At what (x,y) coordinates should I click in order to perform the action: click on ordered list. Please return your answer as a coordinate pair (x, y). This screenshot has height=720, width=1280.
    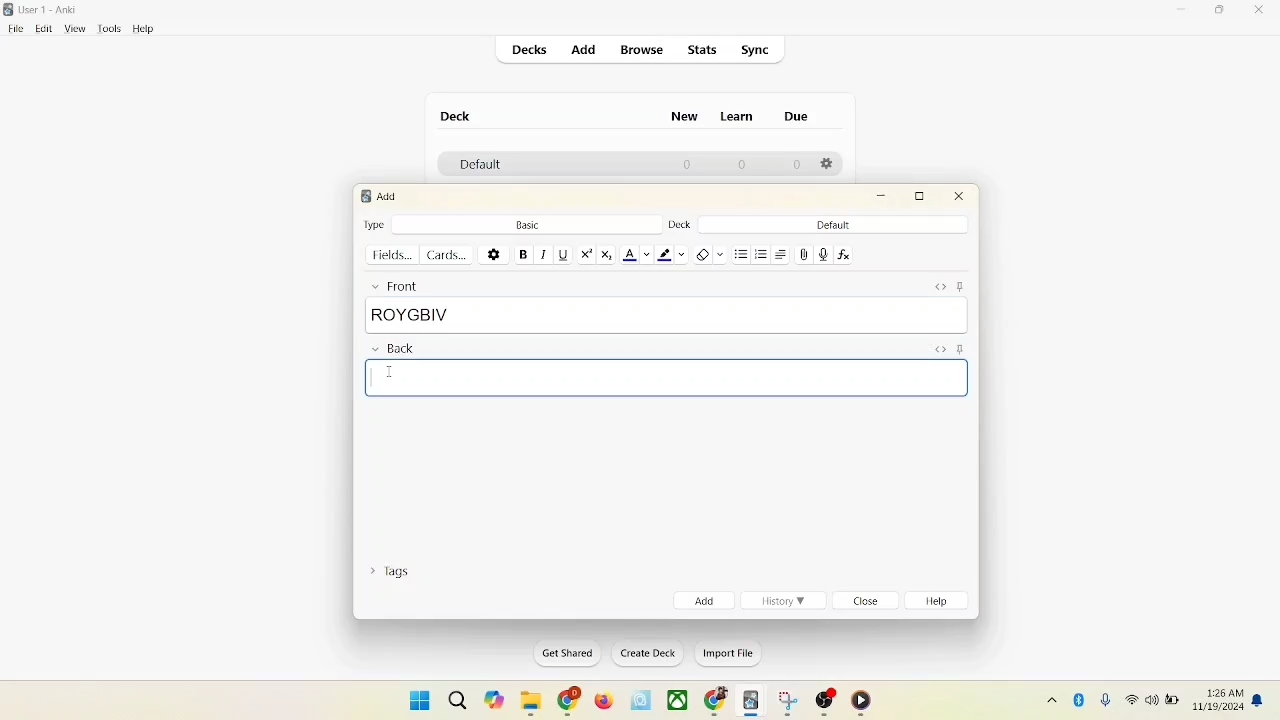
    Looking at the image, I should click on (762, 252).